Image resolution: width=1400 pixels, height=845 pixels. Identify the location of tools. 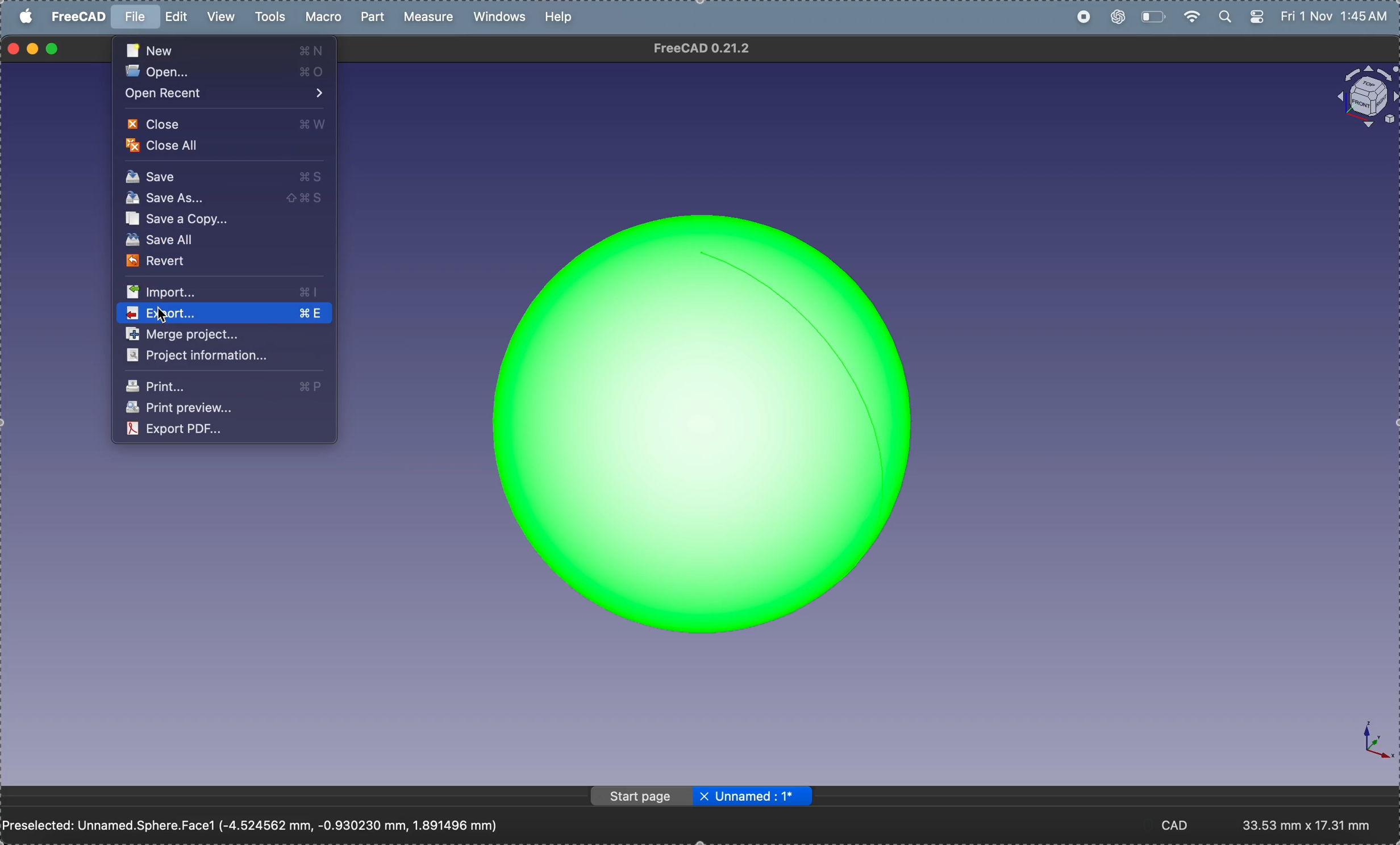
(270, 17).